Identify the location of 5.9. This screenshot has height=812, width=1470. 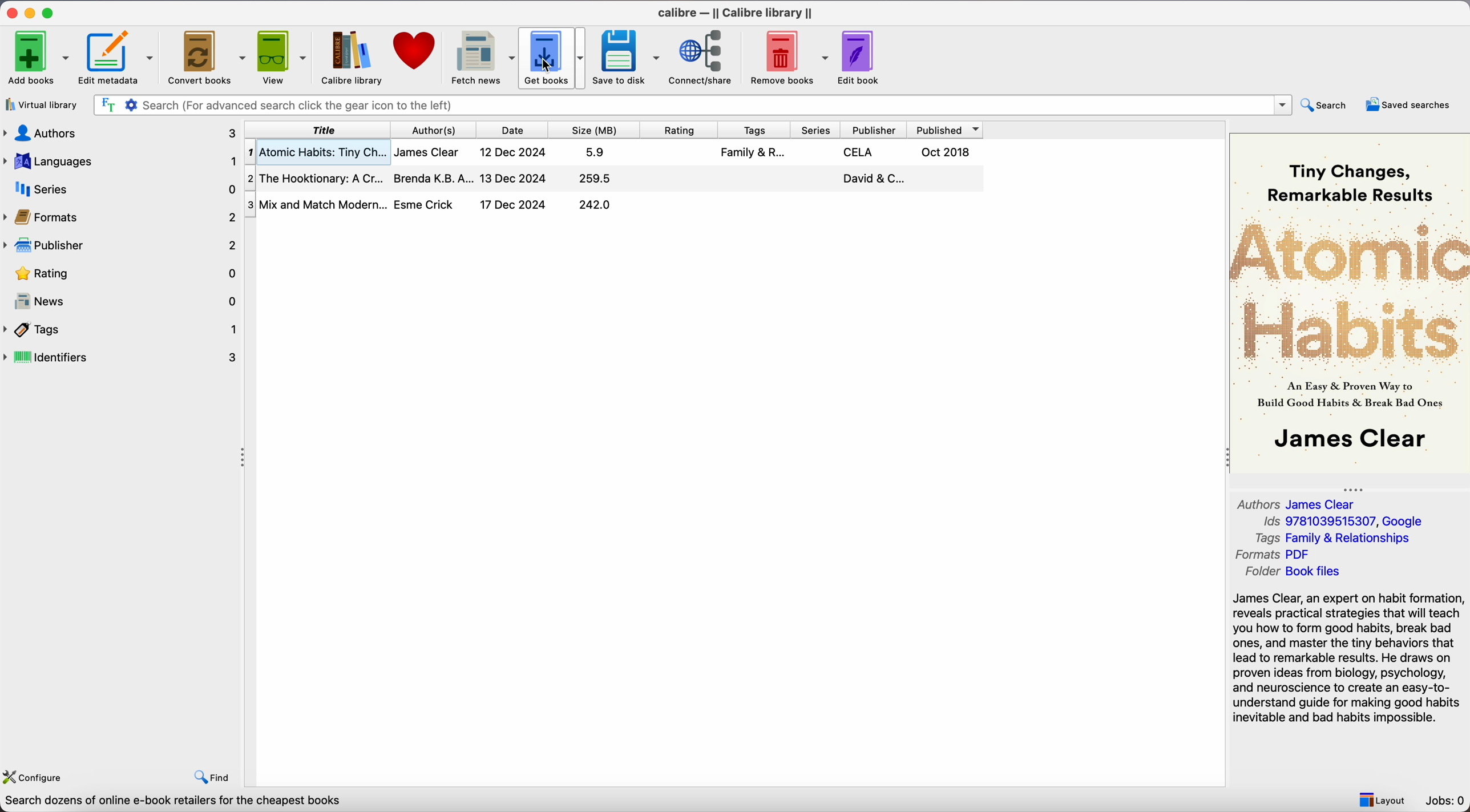
(596, 152).